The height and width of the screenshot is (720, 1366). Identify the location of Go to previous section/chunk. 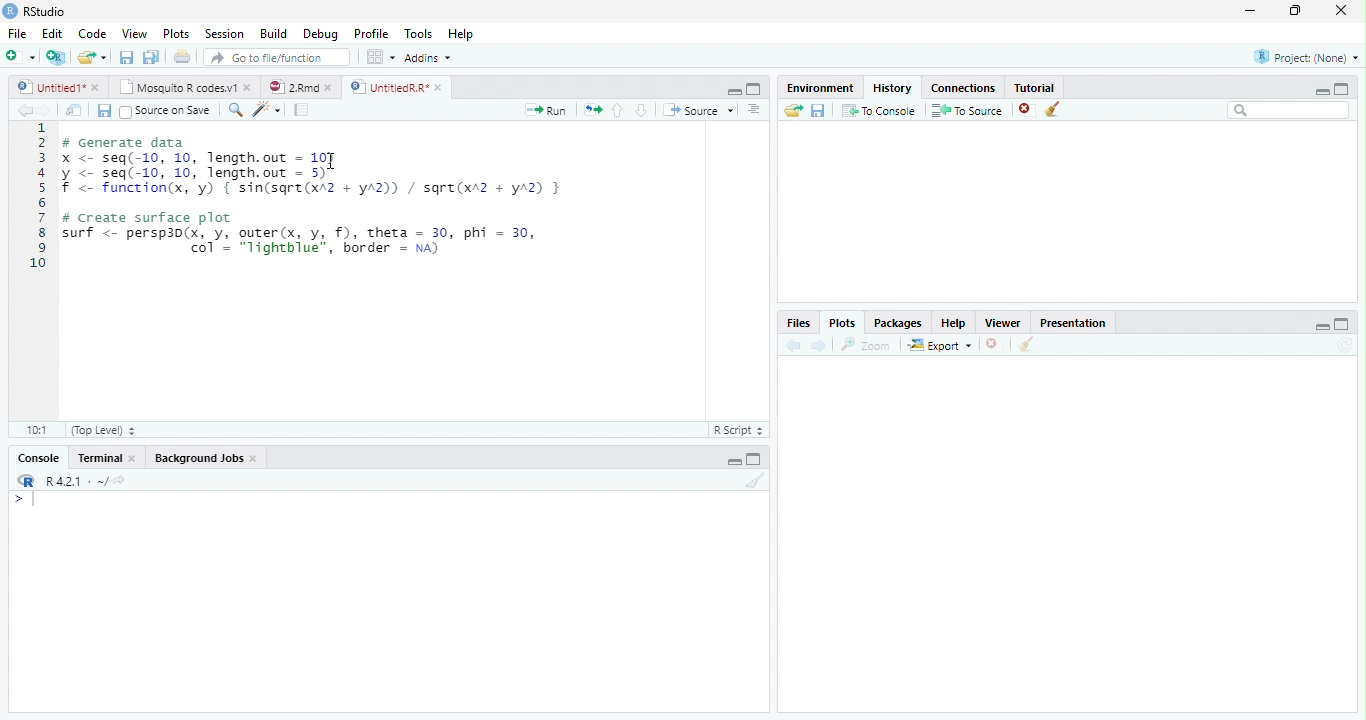
(617, 110).